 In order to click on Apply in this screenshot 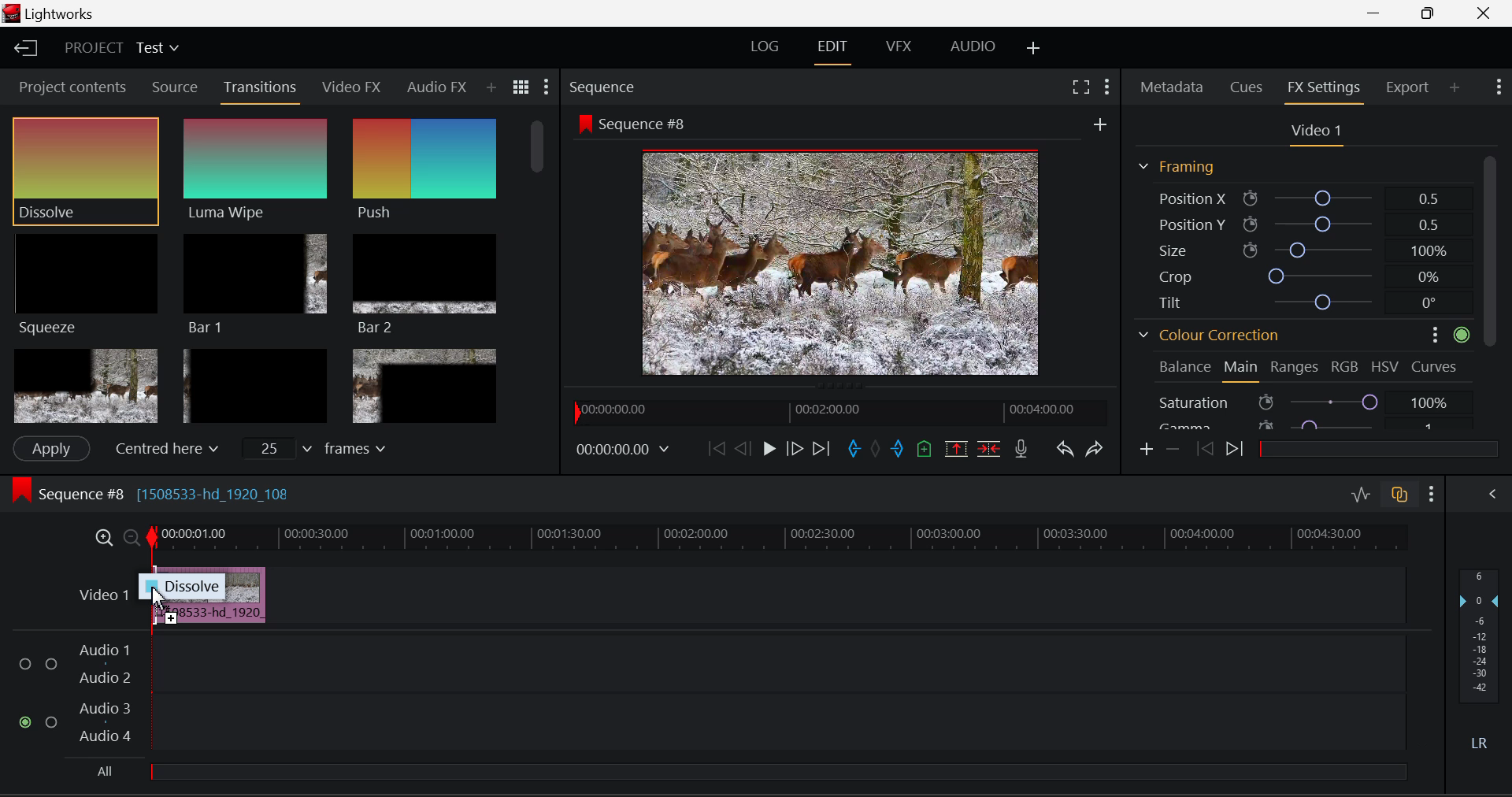, I will do `click(51, 449)`.